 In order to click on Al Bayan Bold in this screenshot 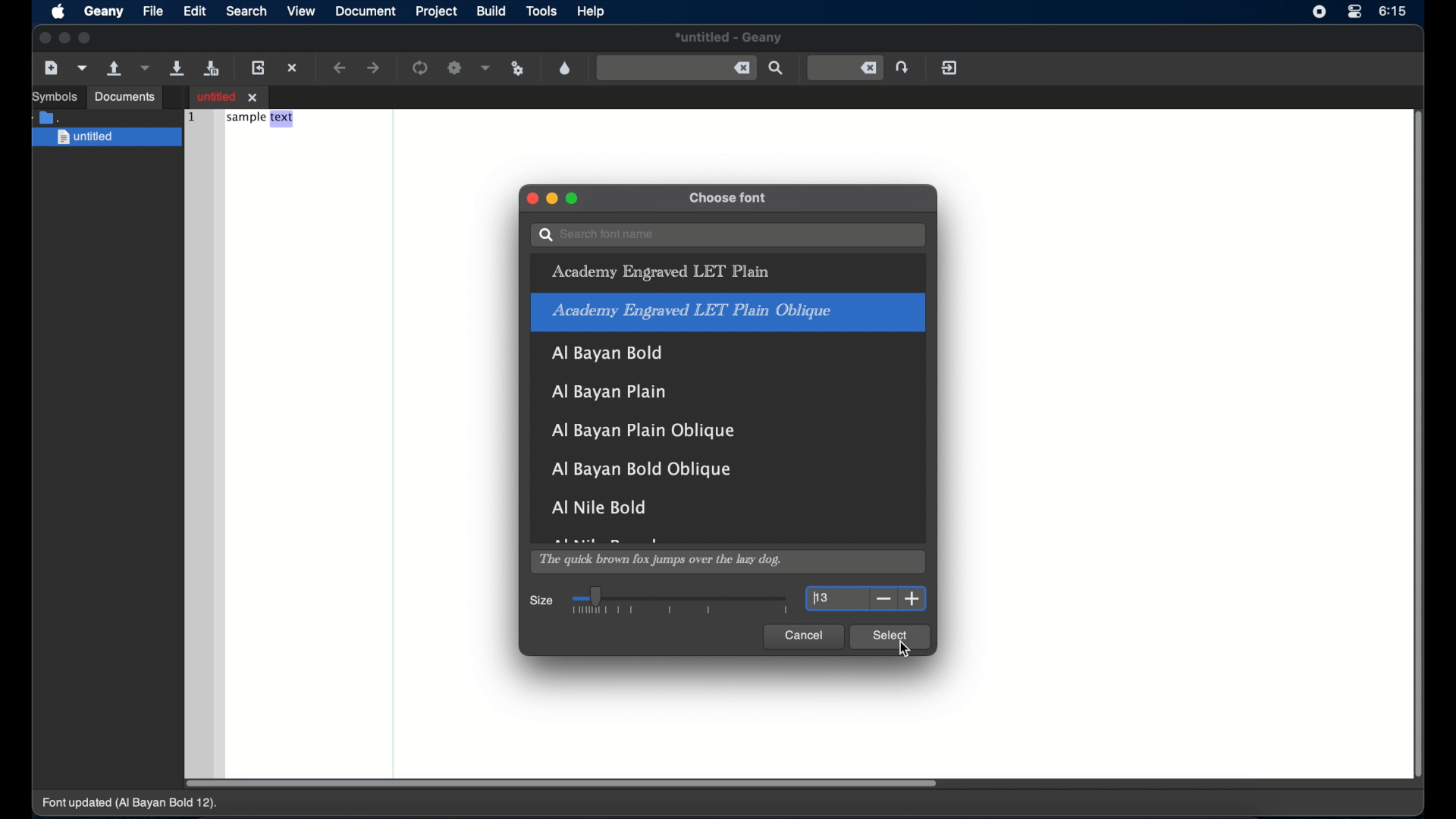, I will do `click(613, 358)`.